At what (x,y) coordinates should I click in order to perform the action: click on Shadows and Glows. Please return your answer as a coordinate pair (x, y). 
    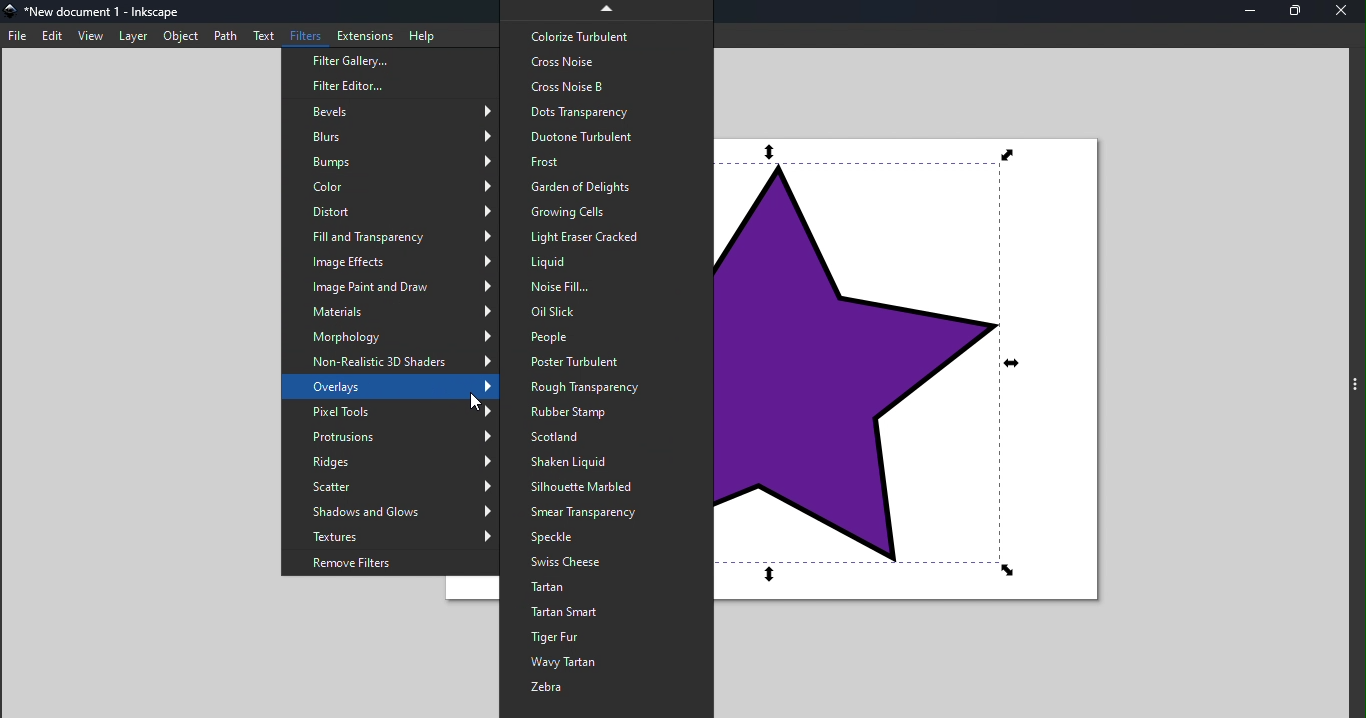
    Looking at the image, I should click on (387, 512).